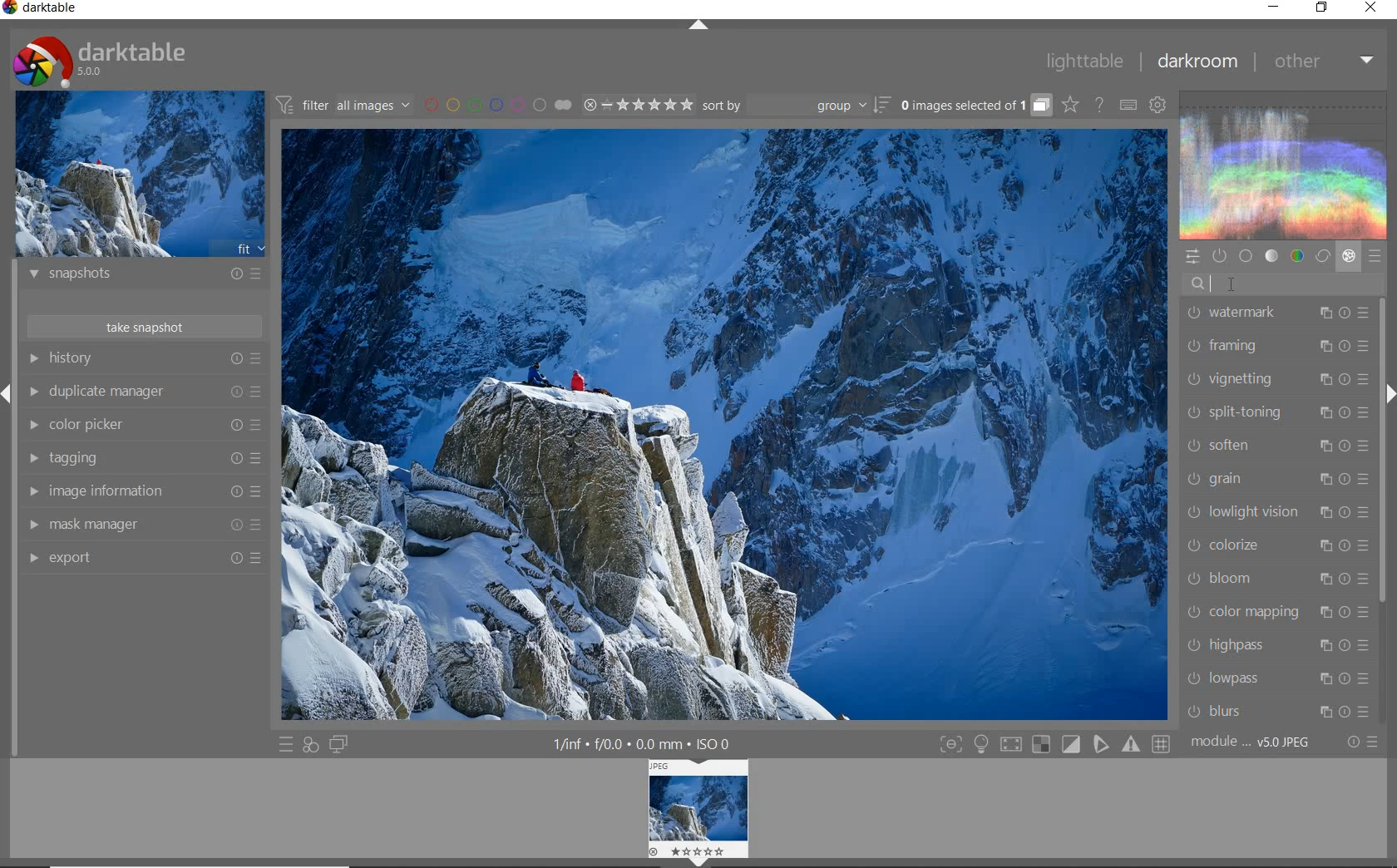 The image size is (1397, 868). What do you see at coordinates (1276, 348) in the screenshot?
I see `framing` at bounding box center [1276, 348].